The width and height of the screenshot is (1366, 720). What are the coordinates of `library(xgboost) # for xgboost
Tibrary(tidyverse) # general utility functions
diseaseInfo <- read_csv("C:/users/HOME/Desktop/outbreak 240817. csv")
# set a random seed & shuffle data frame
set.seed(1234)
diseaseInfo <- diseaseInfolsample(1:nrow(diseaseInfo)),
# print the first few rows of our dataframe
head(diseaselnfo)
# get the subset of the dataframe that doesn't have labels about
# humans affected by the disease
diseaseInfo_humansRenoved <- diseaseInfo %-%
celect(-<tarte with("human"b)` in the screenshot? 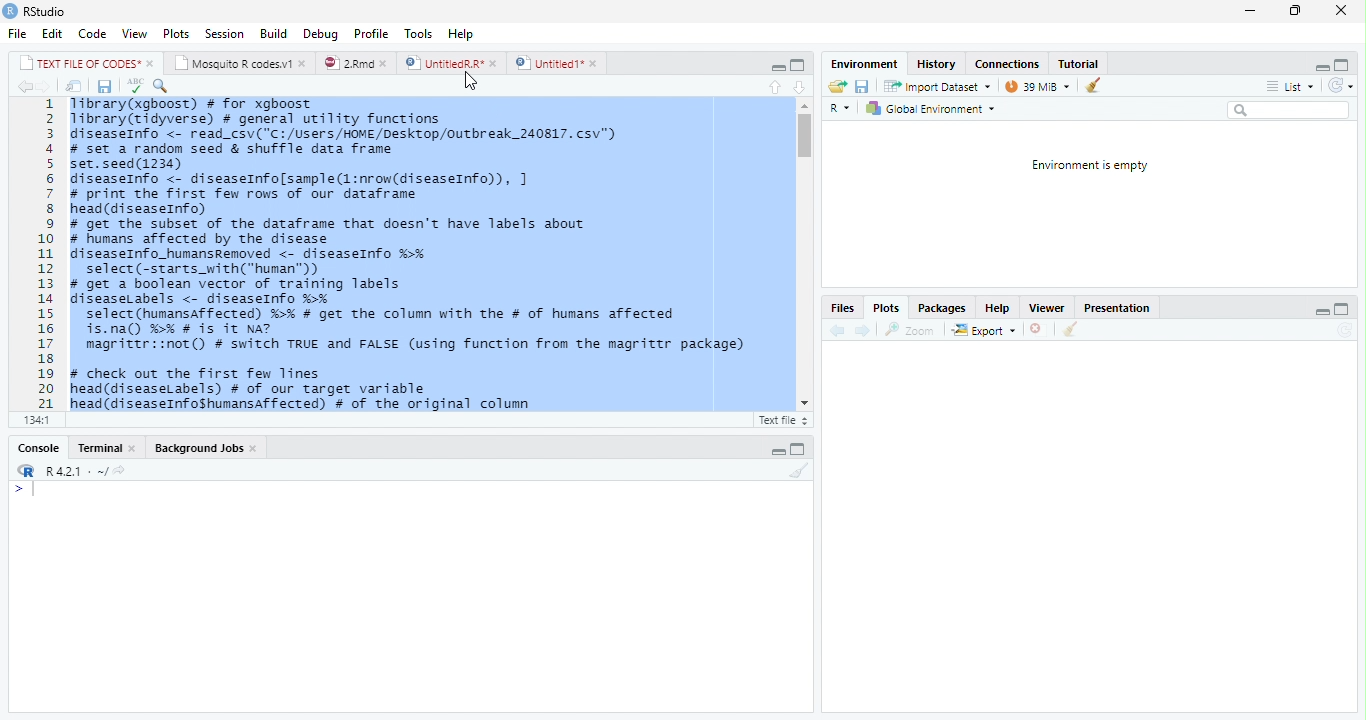 It's located at (354, 186).